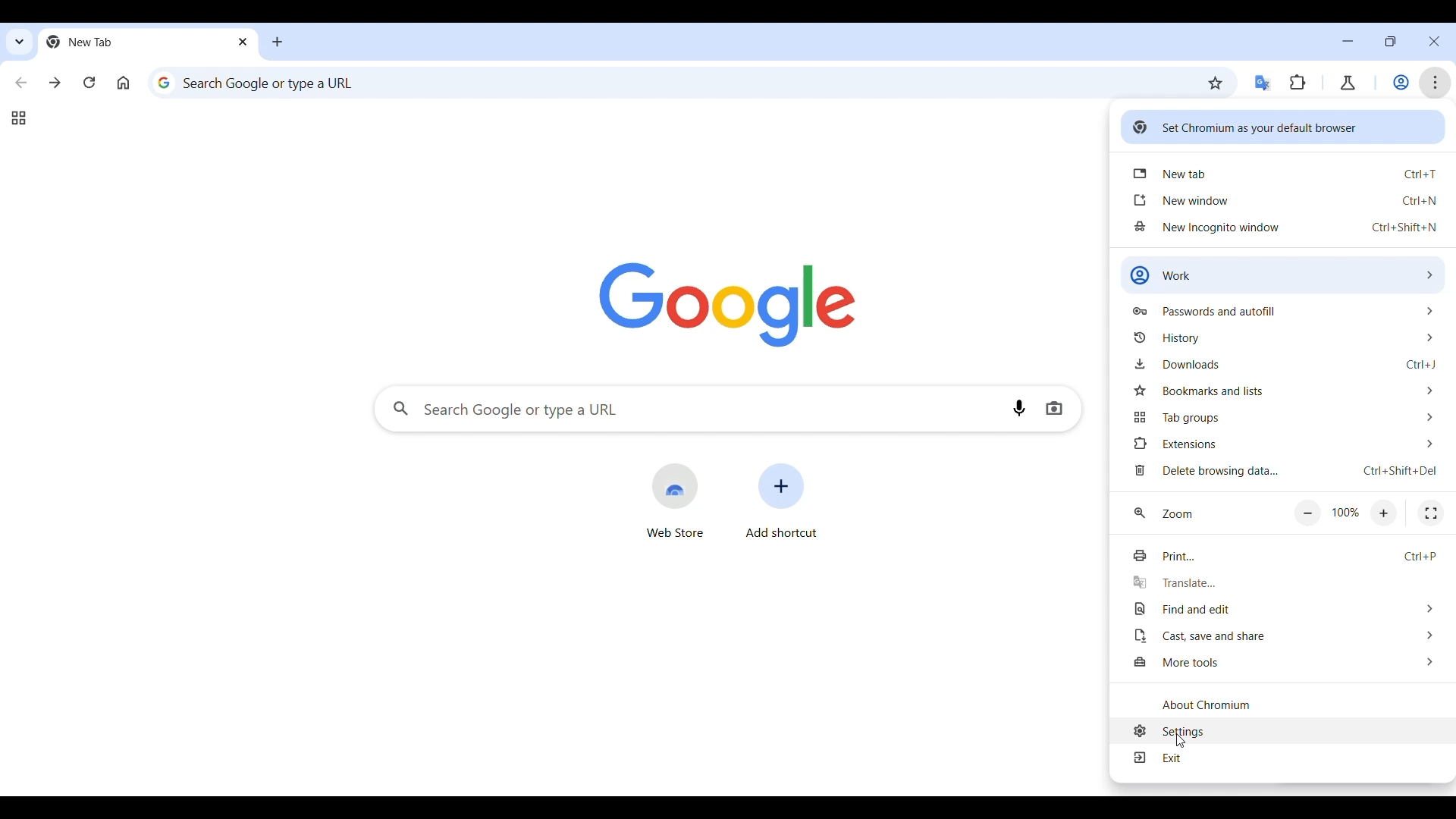  What do you see at coordinates (1216, 83) in the screenshot?
I see `Bookmark this tab` at bounding box center [1216, 83].